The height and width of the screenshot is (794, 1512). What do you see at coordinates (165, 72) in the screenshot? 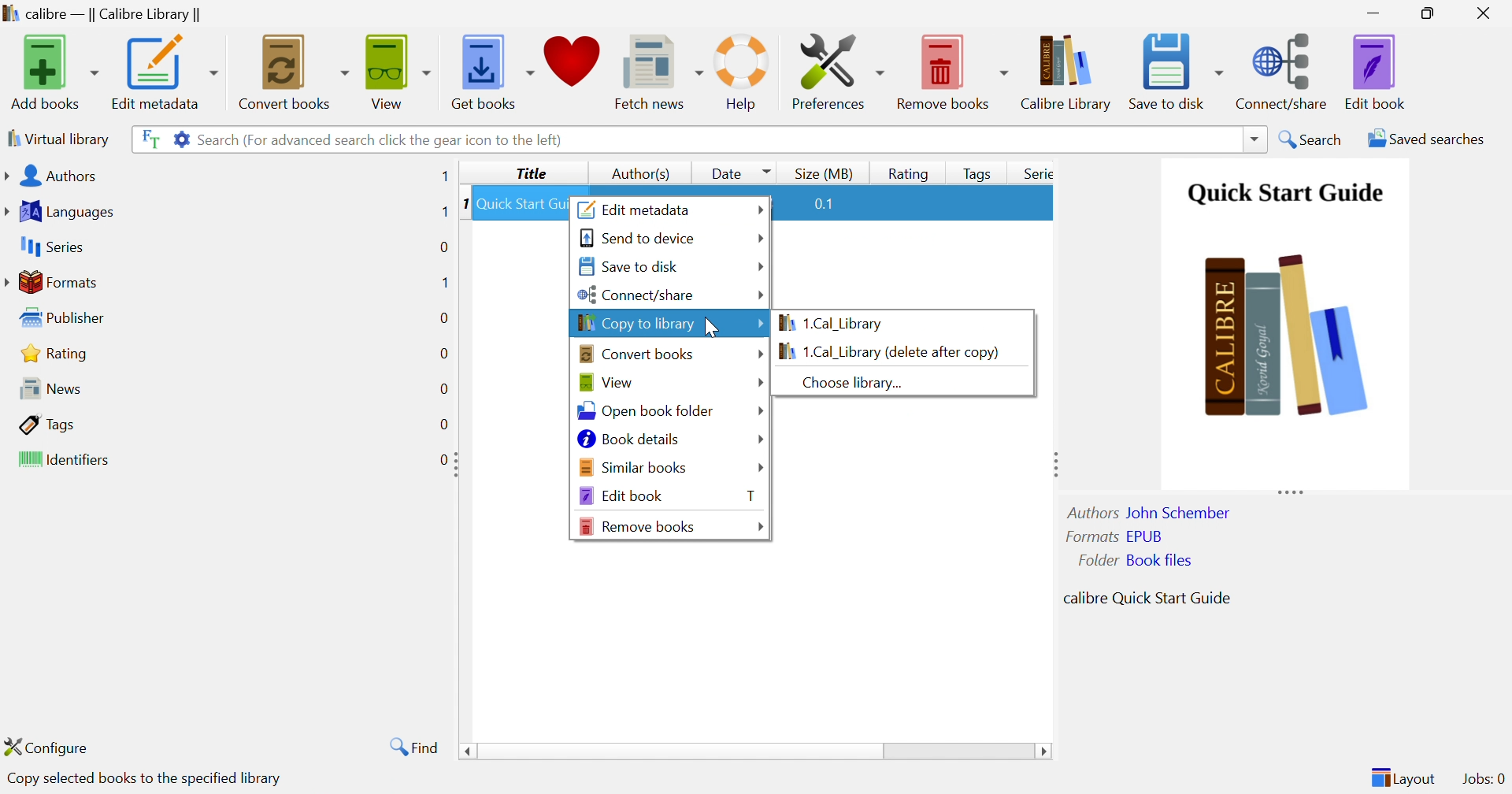
I see `Edit metadata` at bounding box center [165, 72].